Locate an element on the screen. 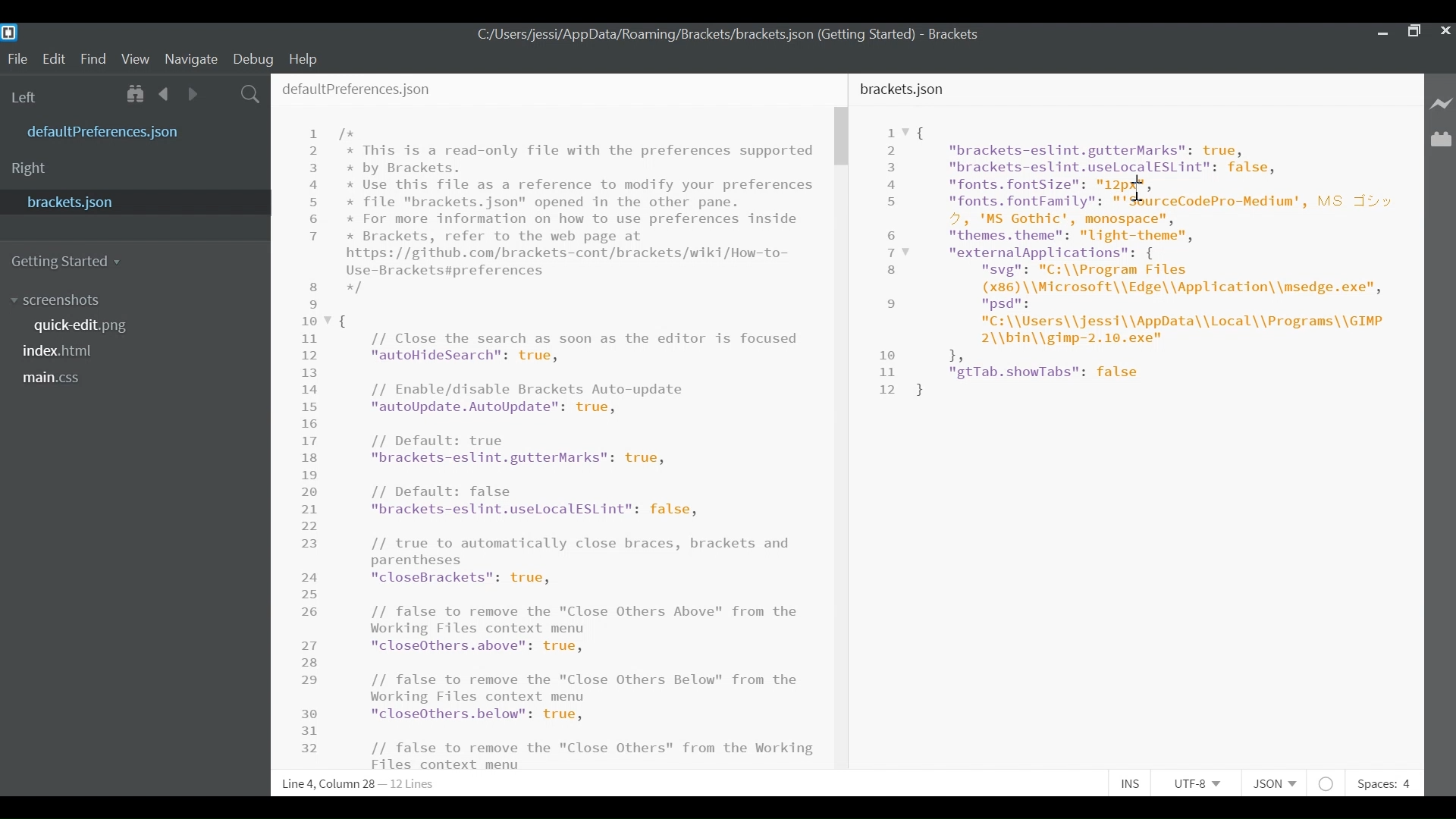 The image size is (1456, 819). Line Number is located at coordinates (312, 442).